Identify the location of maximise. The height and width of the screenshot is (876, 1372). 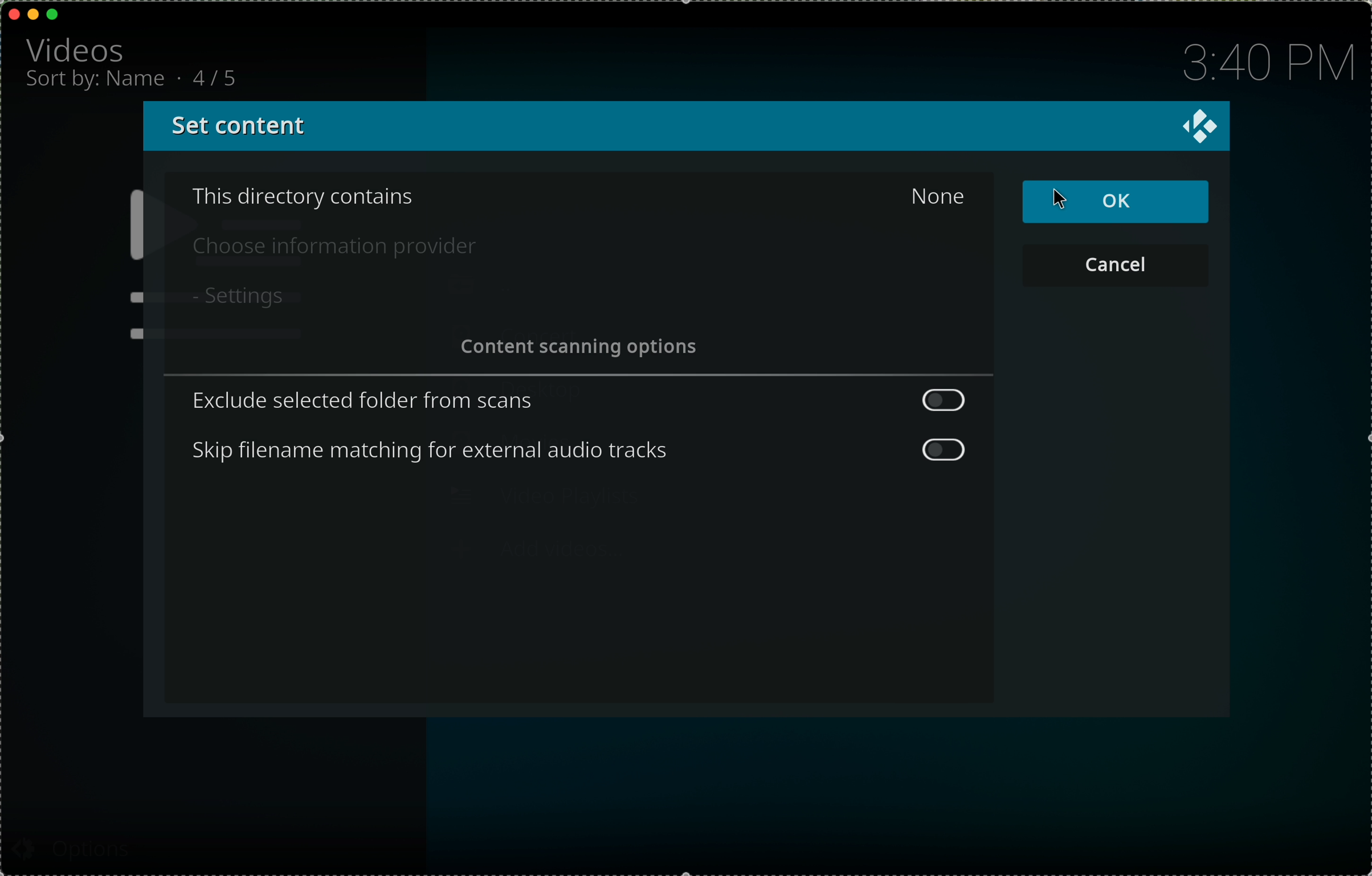
(54, 14).